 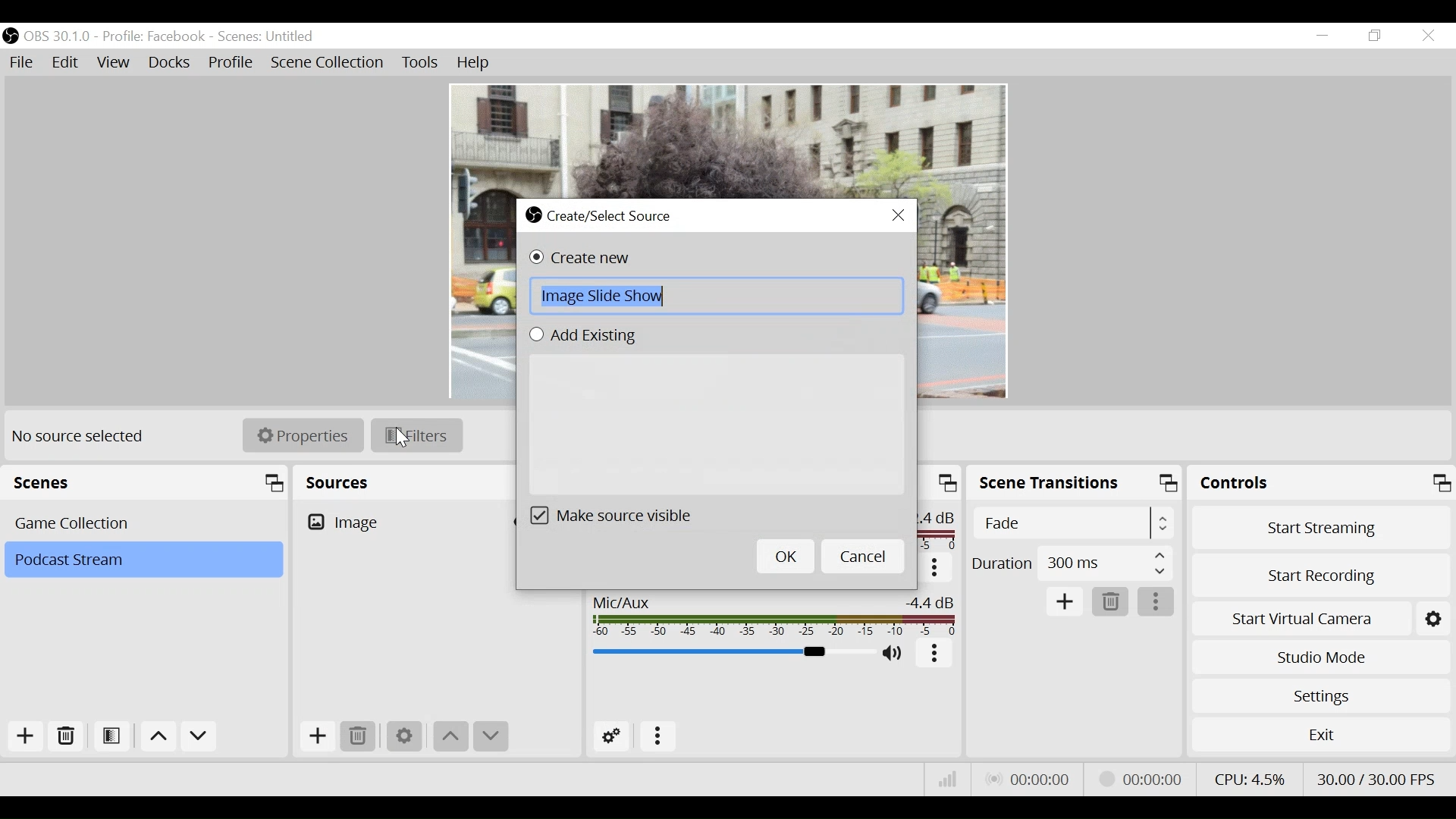 I want to click on Existing Source Name, so click(x=716, y=425).